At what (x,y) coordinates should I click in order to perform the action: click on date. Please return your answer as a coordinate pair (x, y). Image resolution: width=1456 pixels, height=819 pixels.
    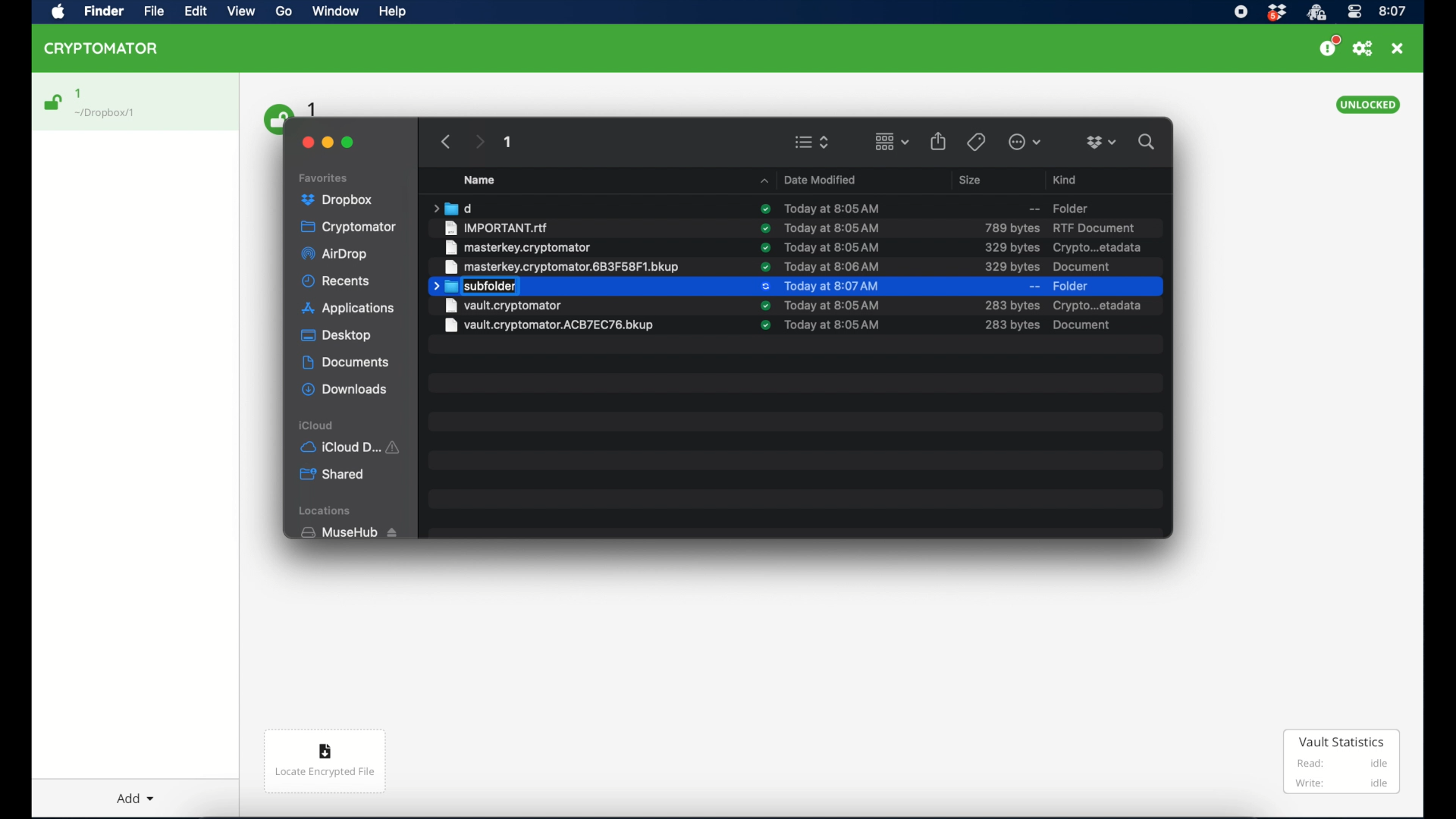
    Looking at the image, I should click on (830, 207).